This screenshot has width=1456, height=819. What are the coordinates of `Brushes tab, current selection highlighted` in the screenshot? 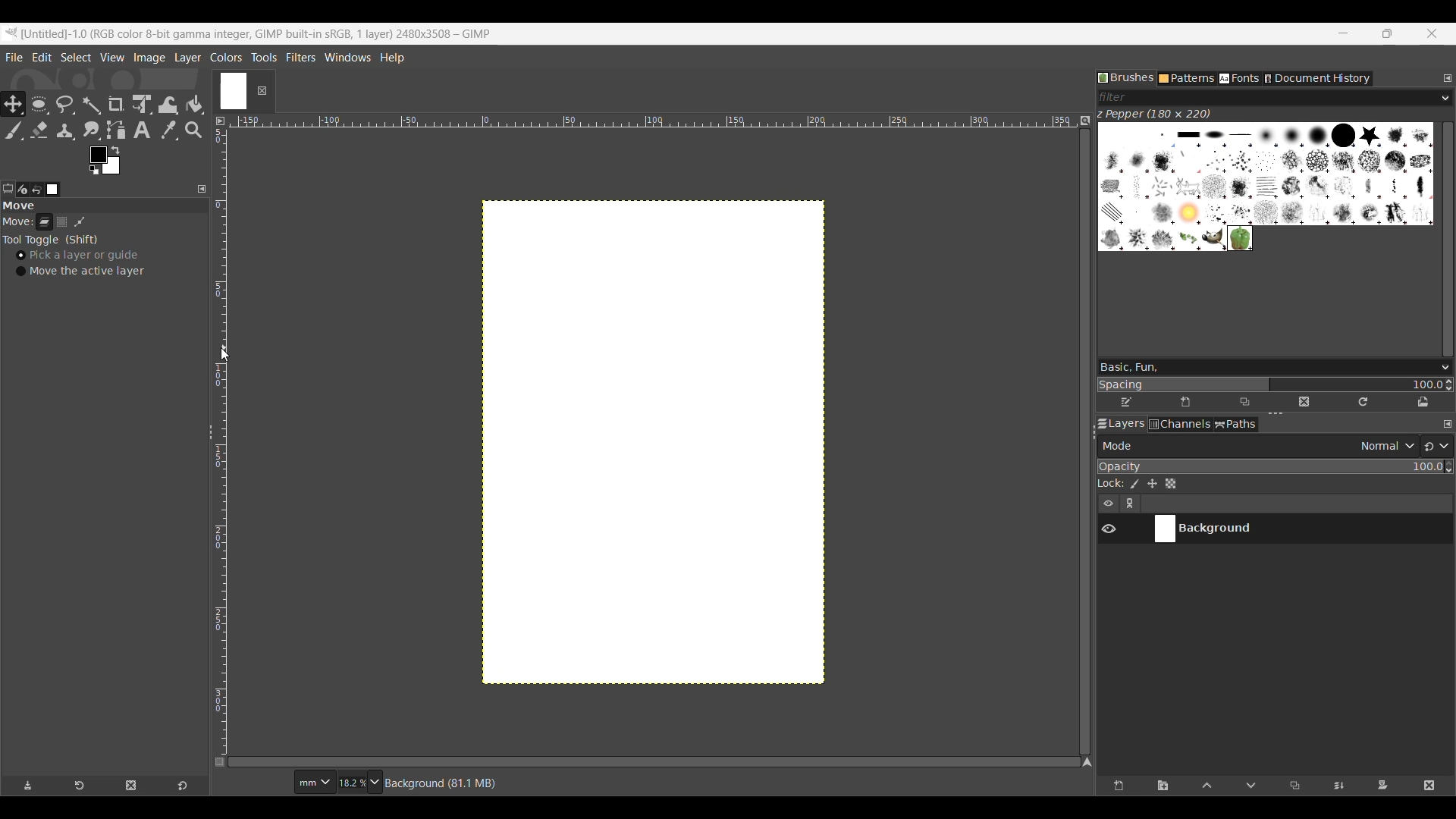 It's located at (1126, 77).